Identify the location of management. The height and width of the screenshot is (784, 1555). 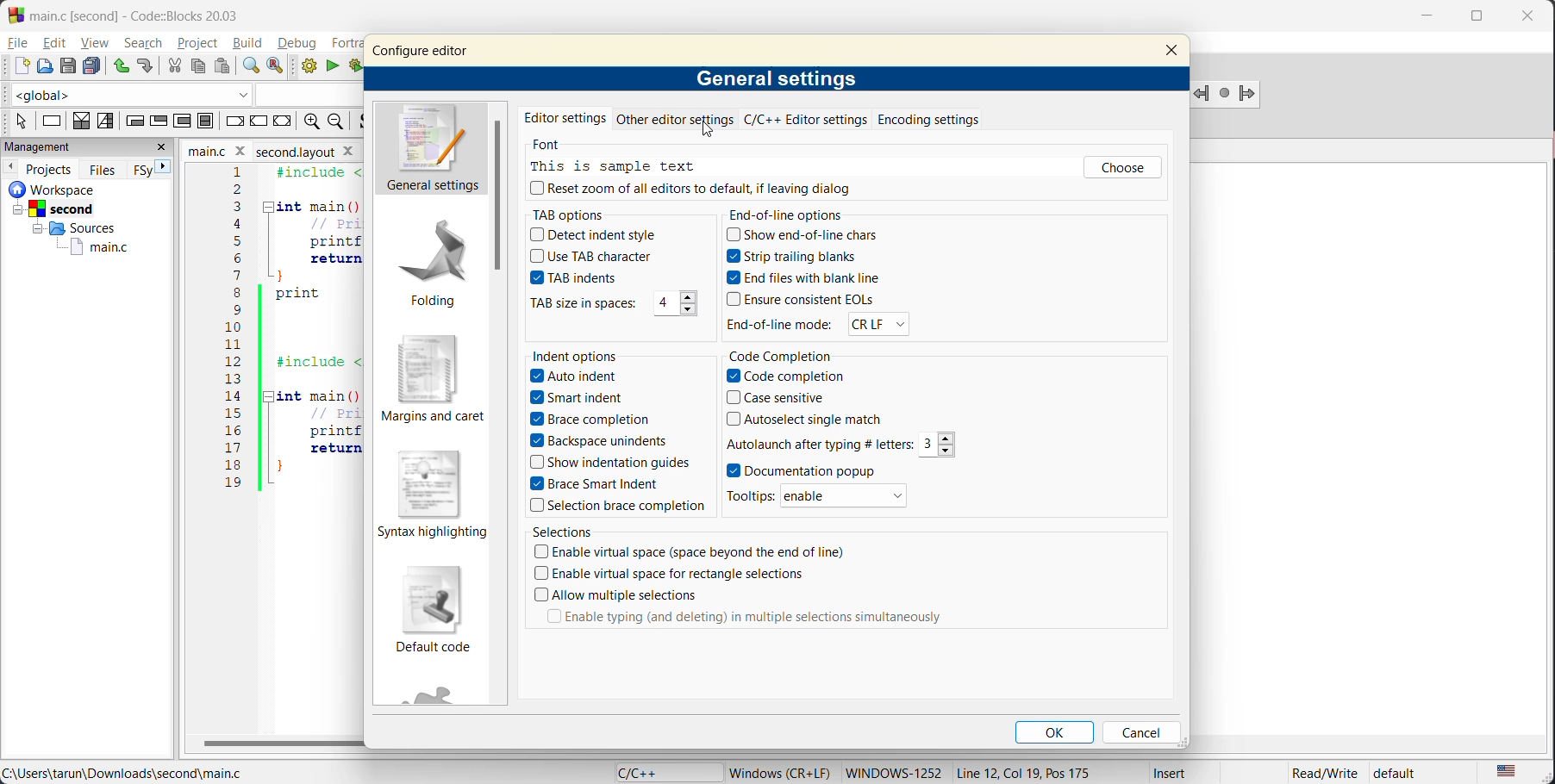
(66, 146).